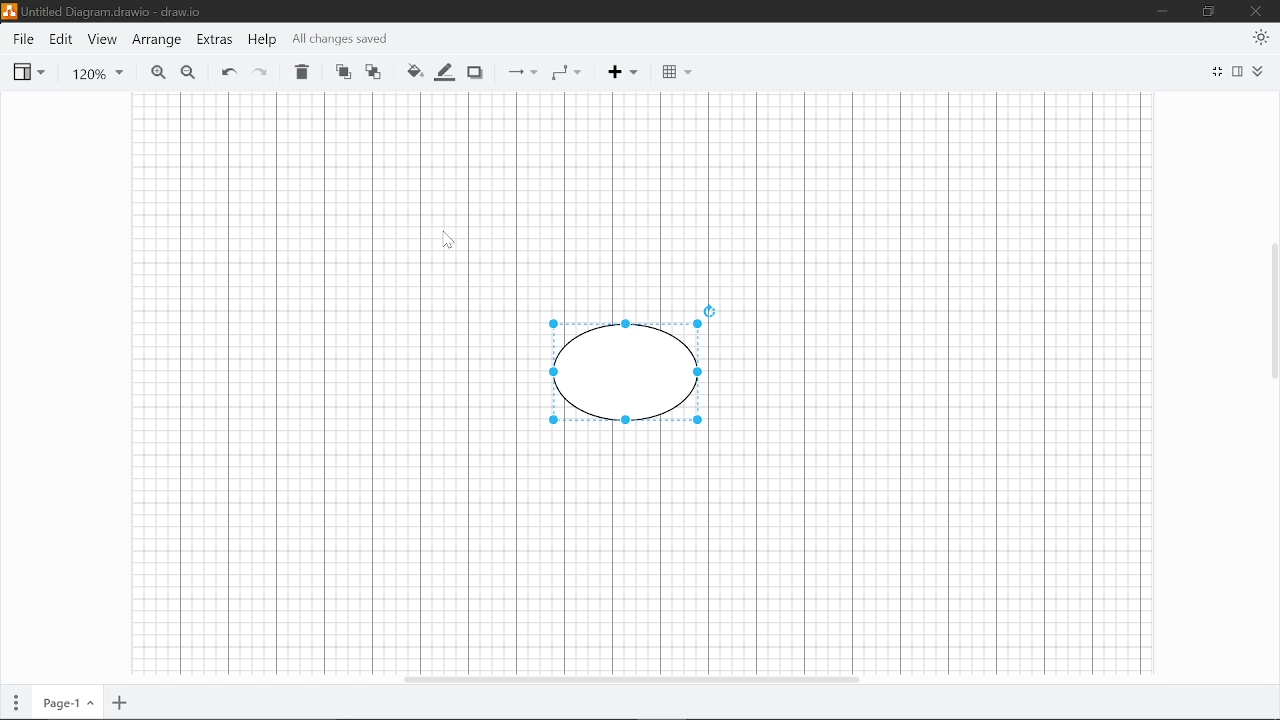  What do you see at coordinates (1272, 301) in the screenshot?
I see `Vertical scrollar` at bounding box center [1272, 301].